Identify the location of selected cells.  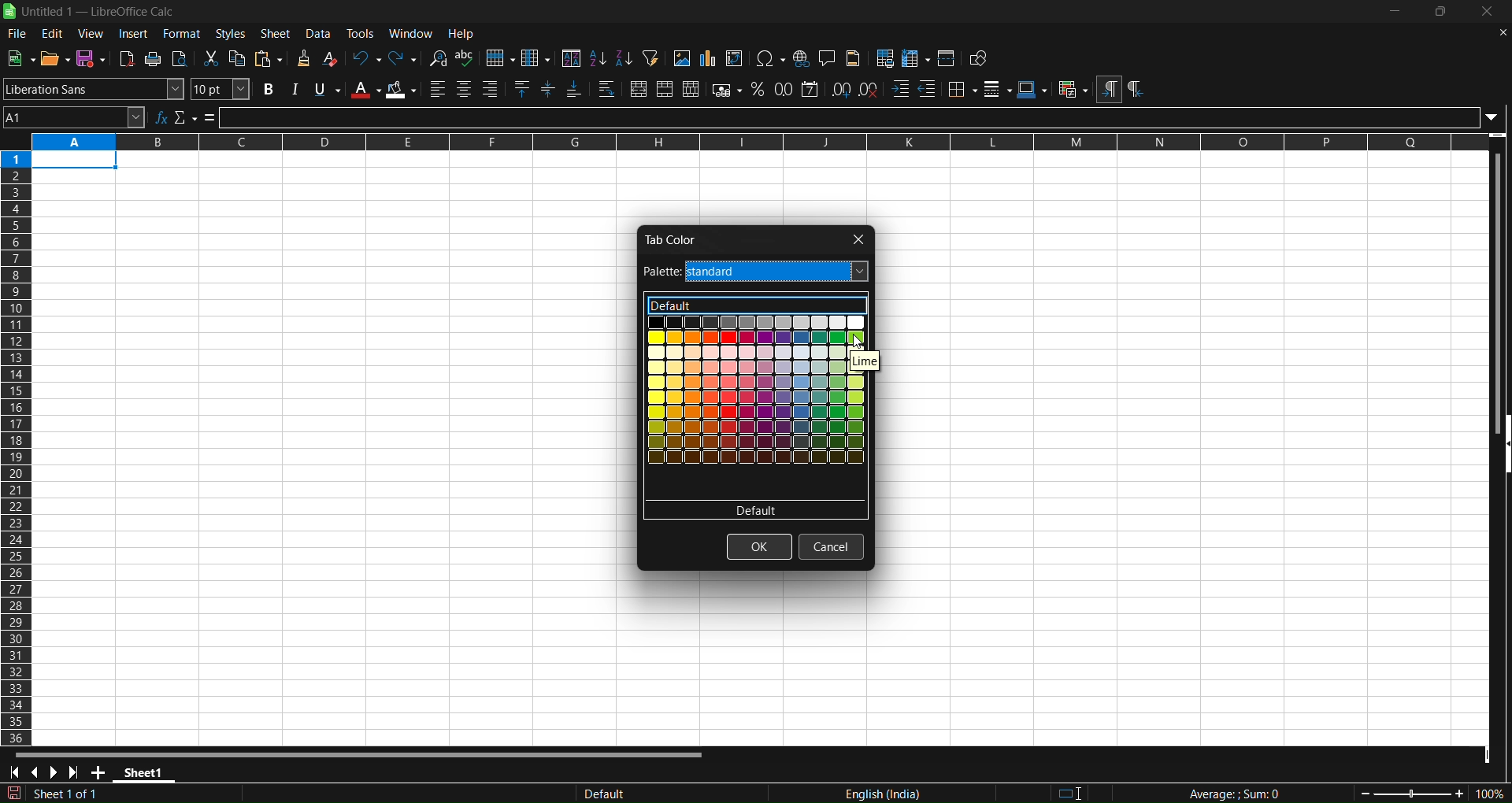
(75, 161).